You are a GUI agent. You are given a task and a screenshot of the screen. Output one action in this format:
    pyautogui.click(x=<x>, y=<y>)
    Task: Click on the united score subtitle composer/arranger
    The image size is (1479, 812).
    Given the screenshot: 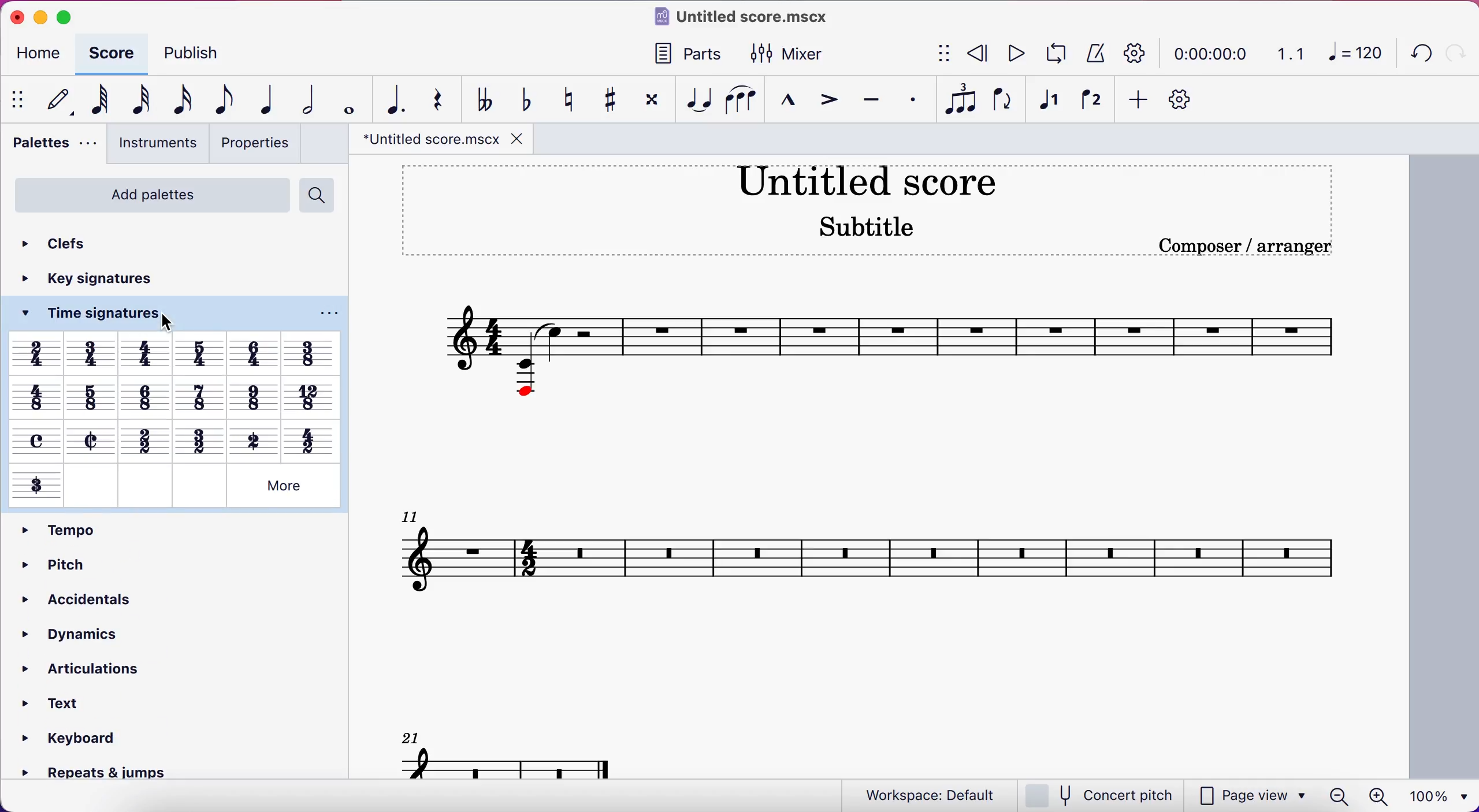 What is the action you would take?
    pyautogui.click(x=876, y=214)
    